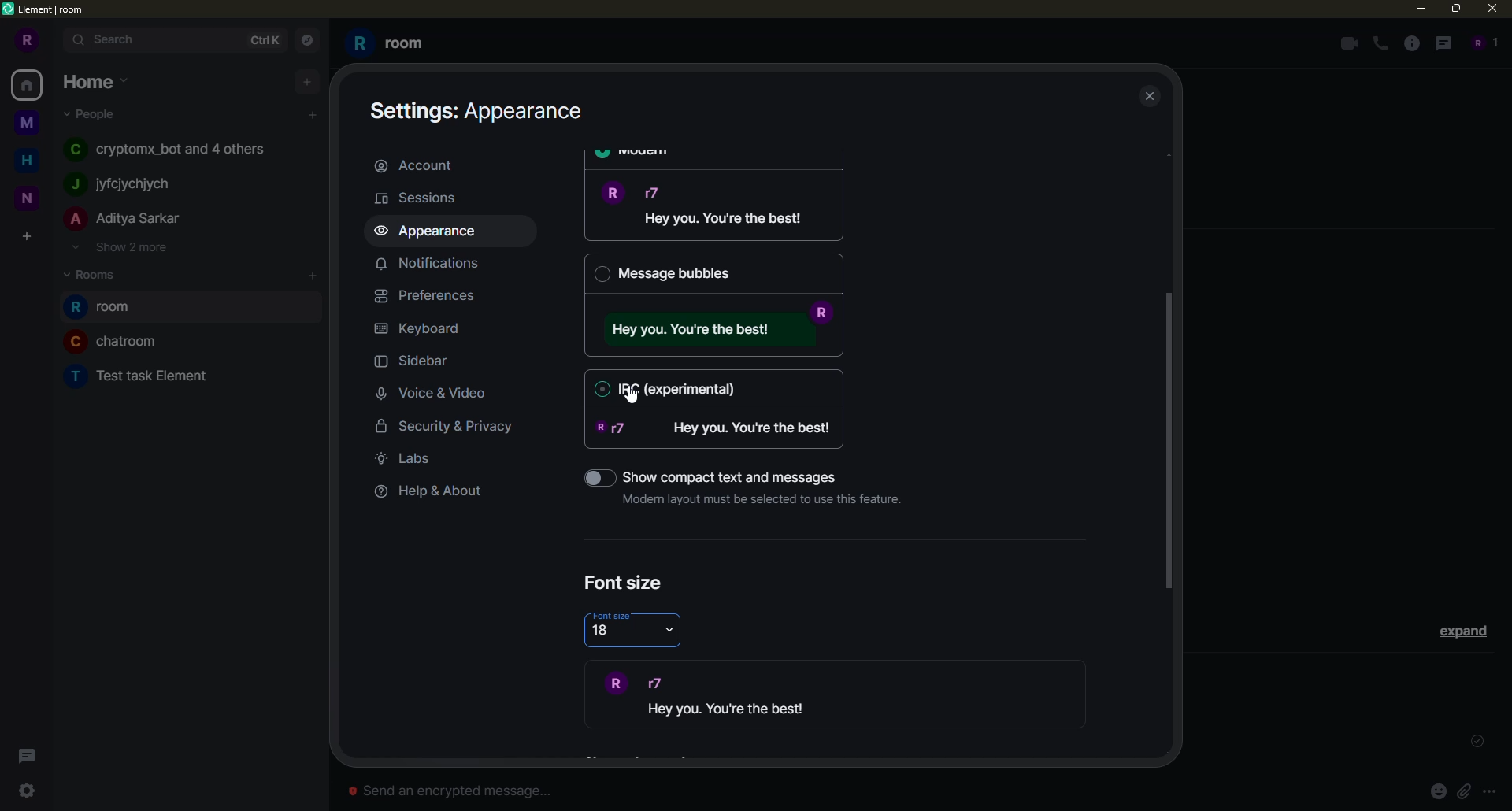  I want to click on labs, so click(408, 461).